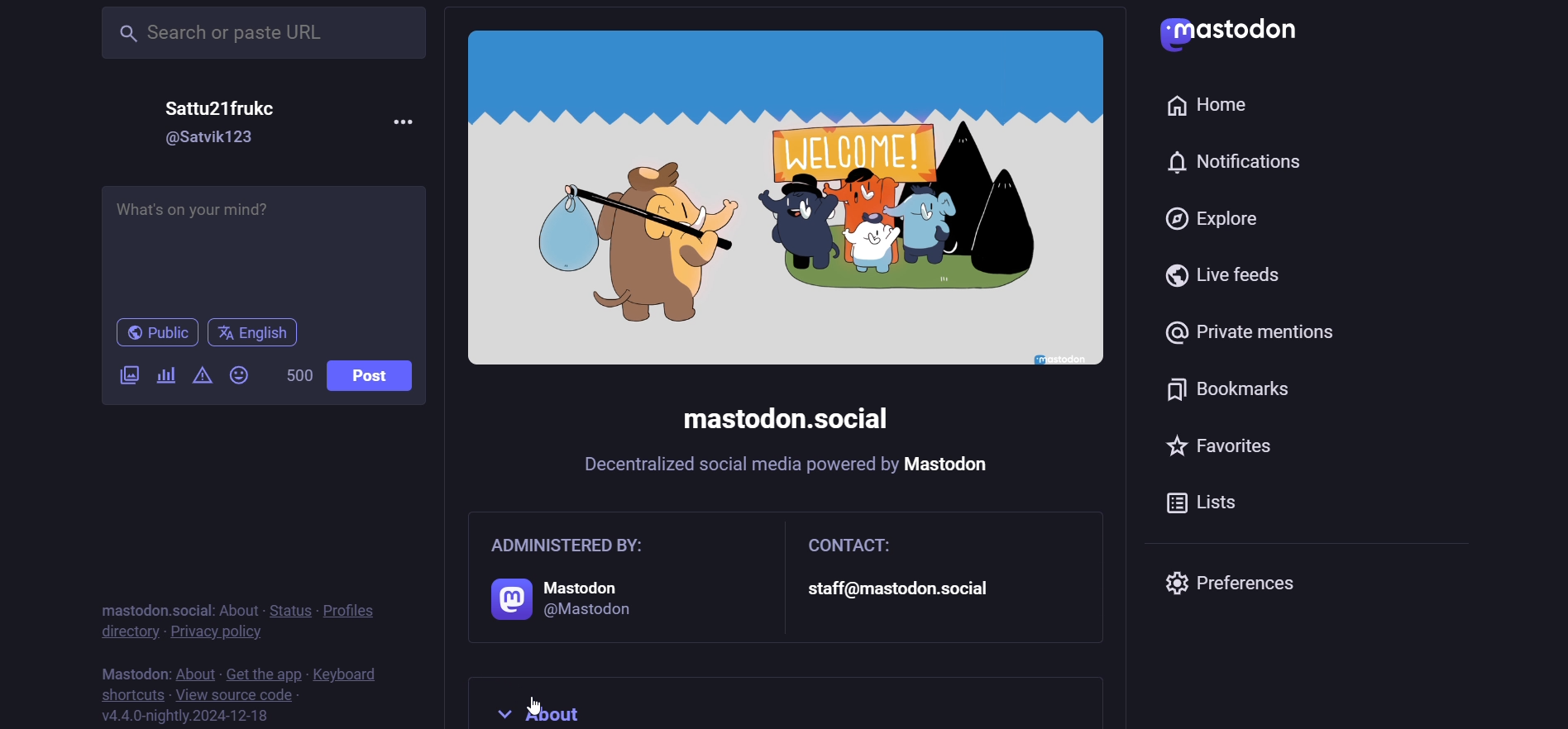  What do you see at coordinates (1262, 327) in the screenshot?
I see `private mention` at bounding box center [1262, 327].